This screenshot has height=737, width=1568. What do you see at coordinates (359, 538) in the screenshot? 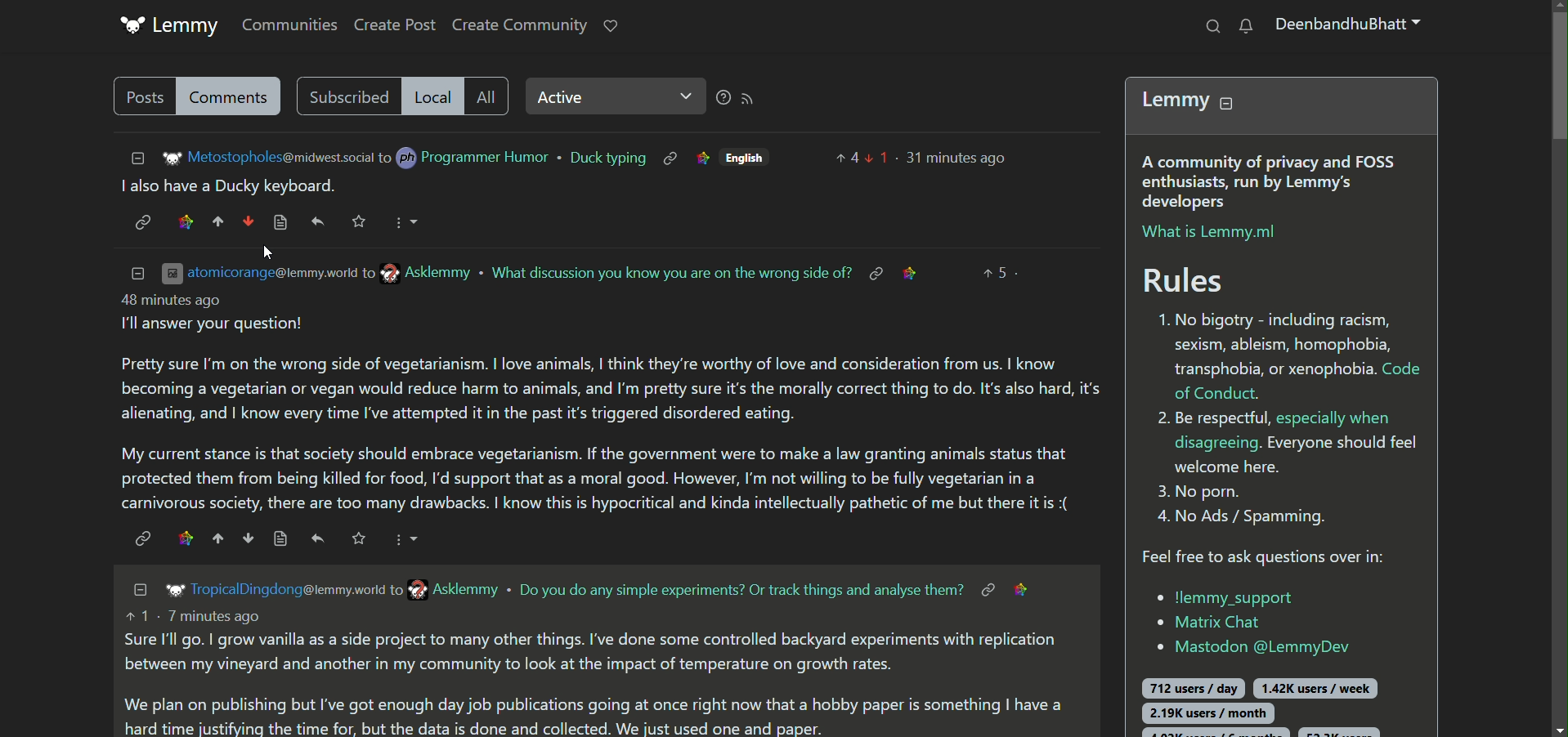
I see `bookmark` at bounding box center [359, 538].